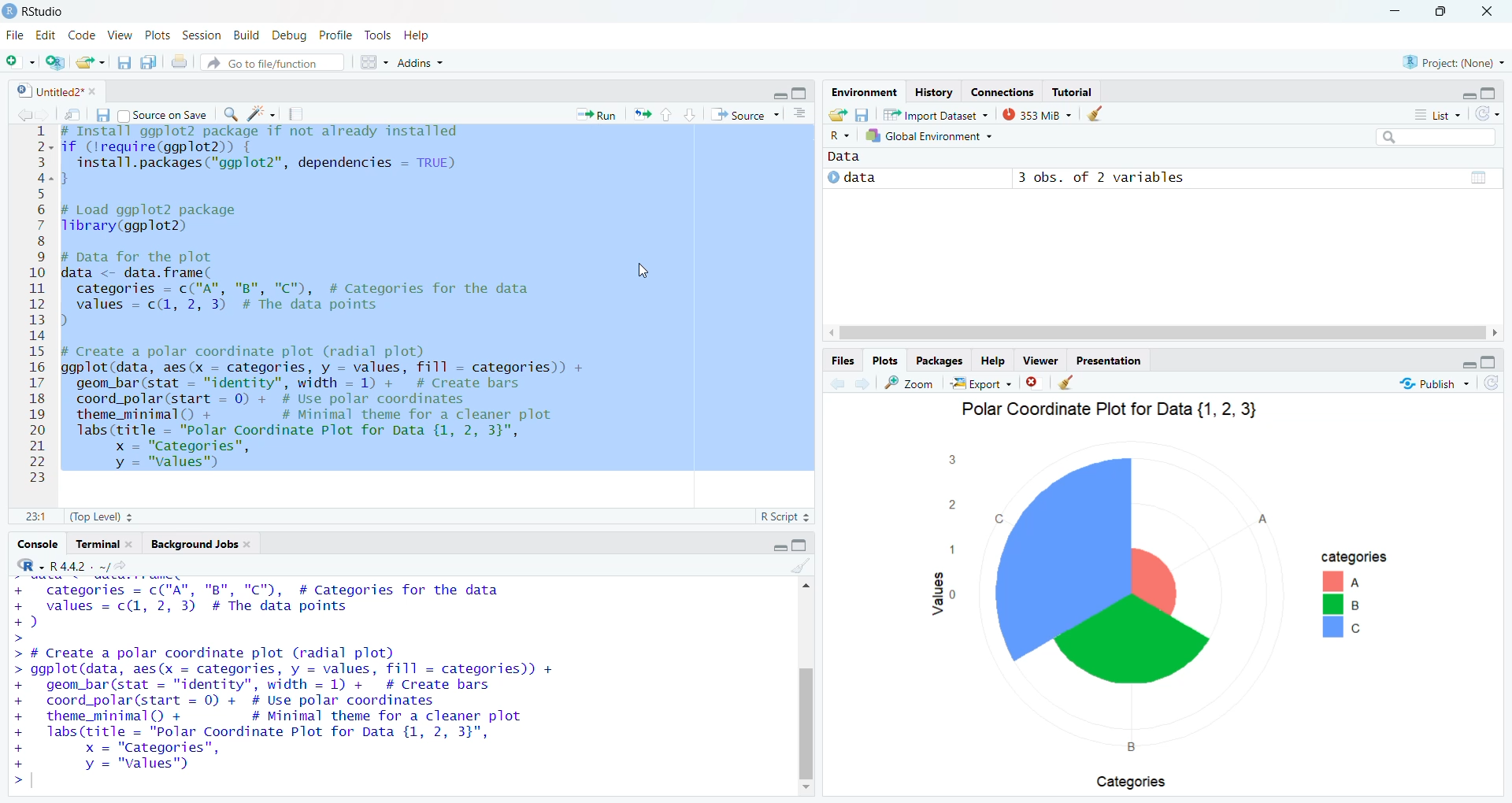 This screenshot has width=1512, height=803. Describe the element at coordinates (421, 65) in the screenshot. I see ` Addins ~` at that location.